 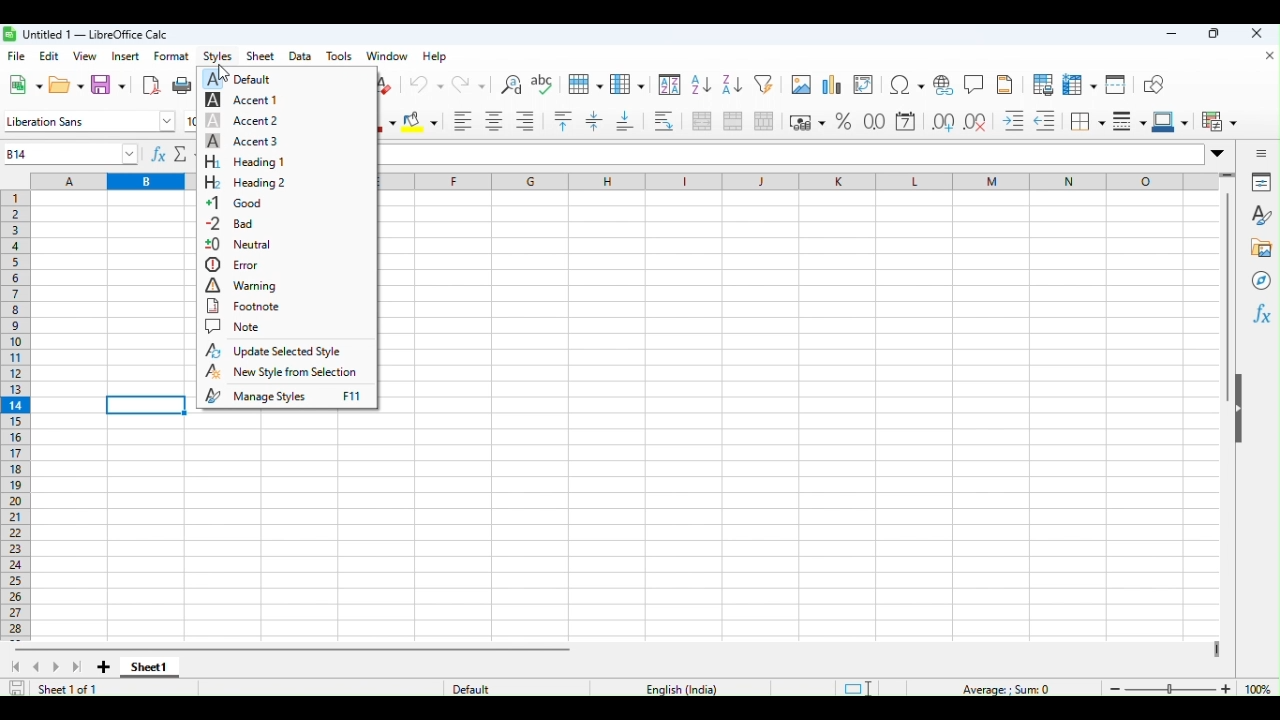 What do you see at coordinates (237, 326) in the screenshot?
I see `note` at bounding box center [237, 326].